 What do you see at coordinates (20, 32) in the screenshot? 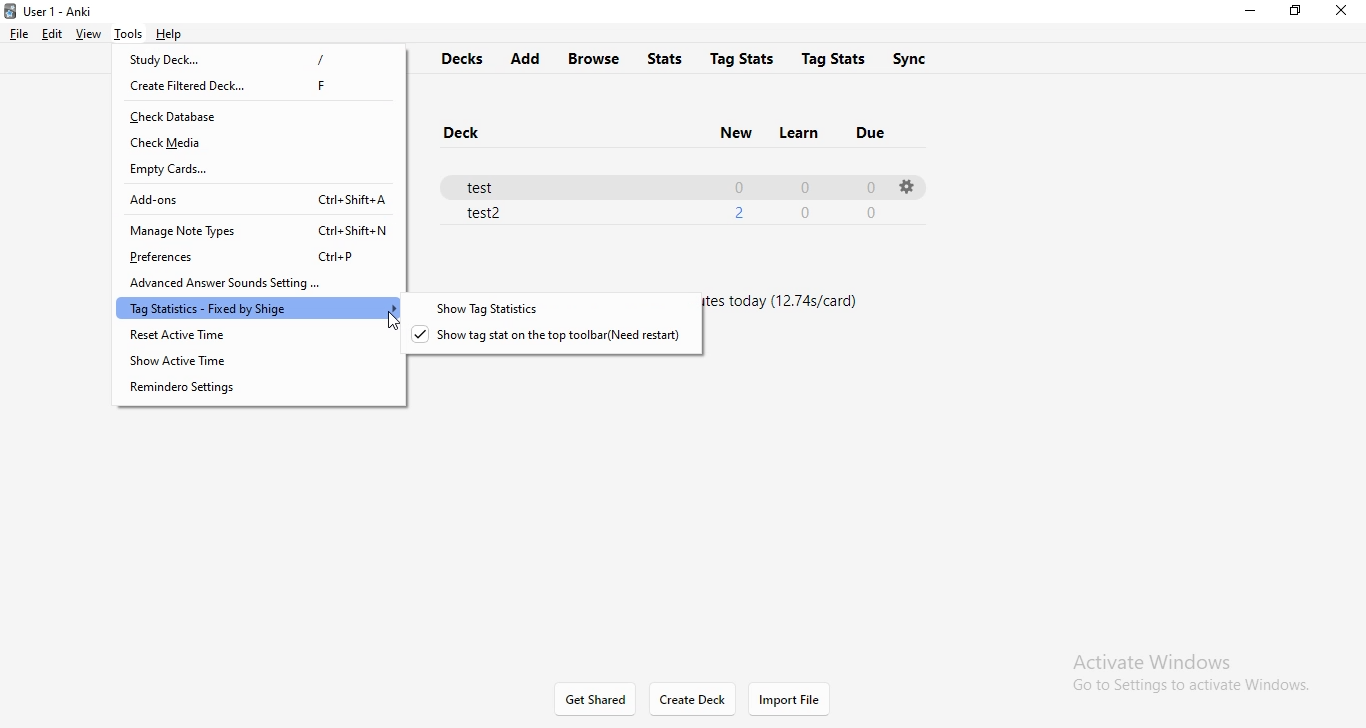
I see `file` at bounding box center [20, 32].